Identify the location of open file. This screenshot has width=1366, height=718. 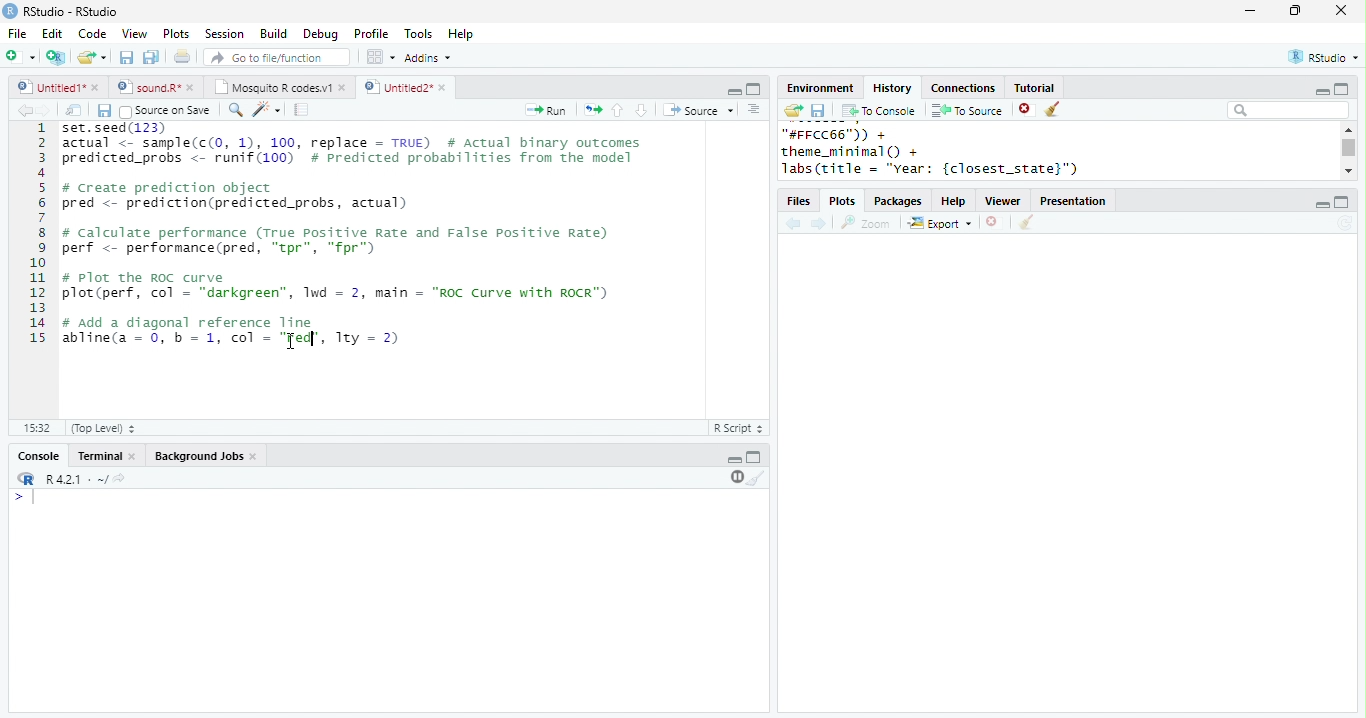
(92, 57).